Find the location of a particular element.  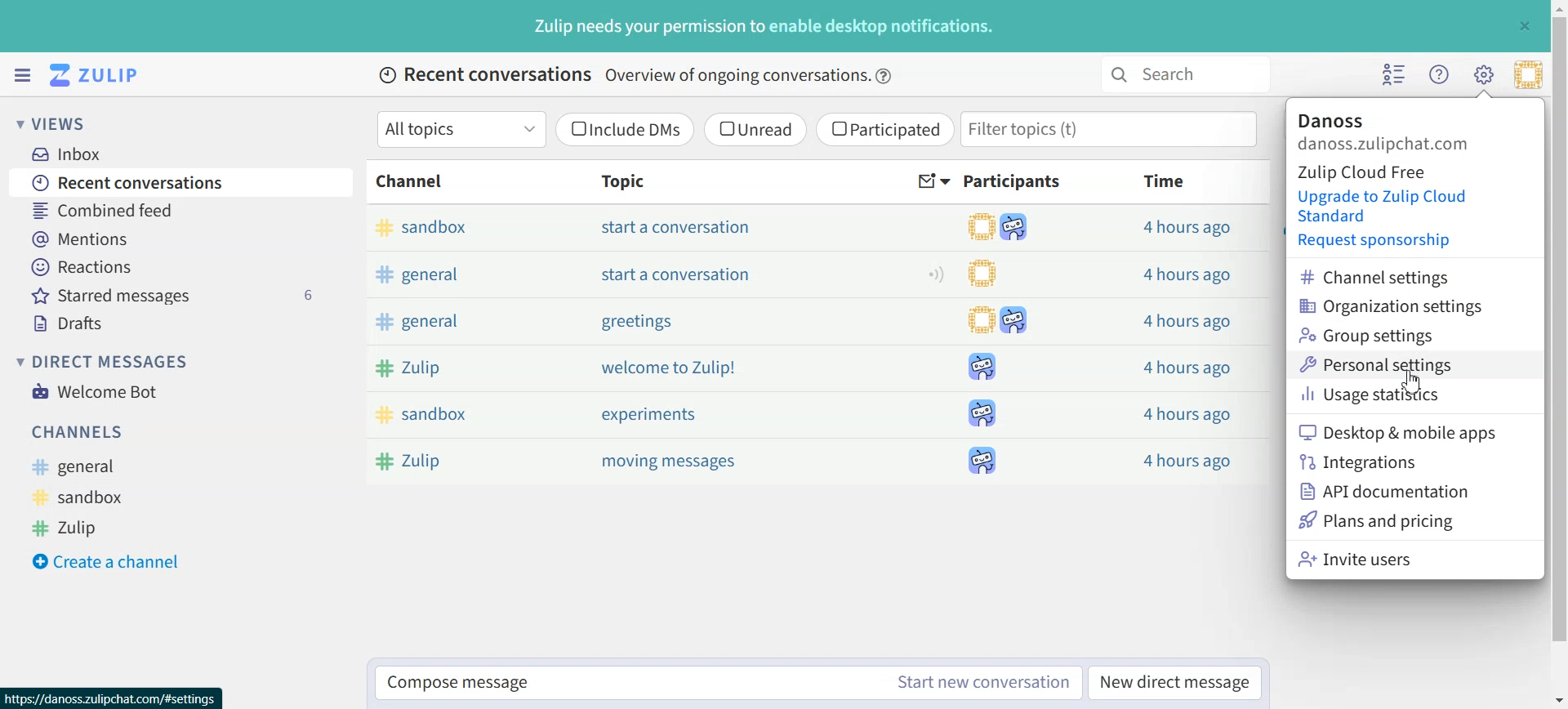

Usage Statistics is located at coordinates (1395, 394).